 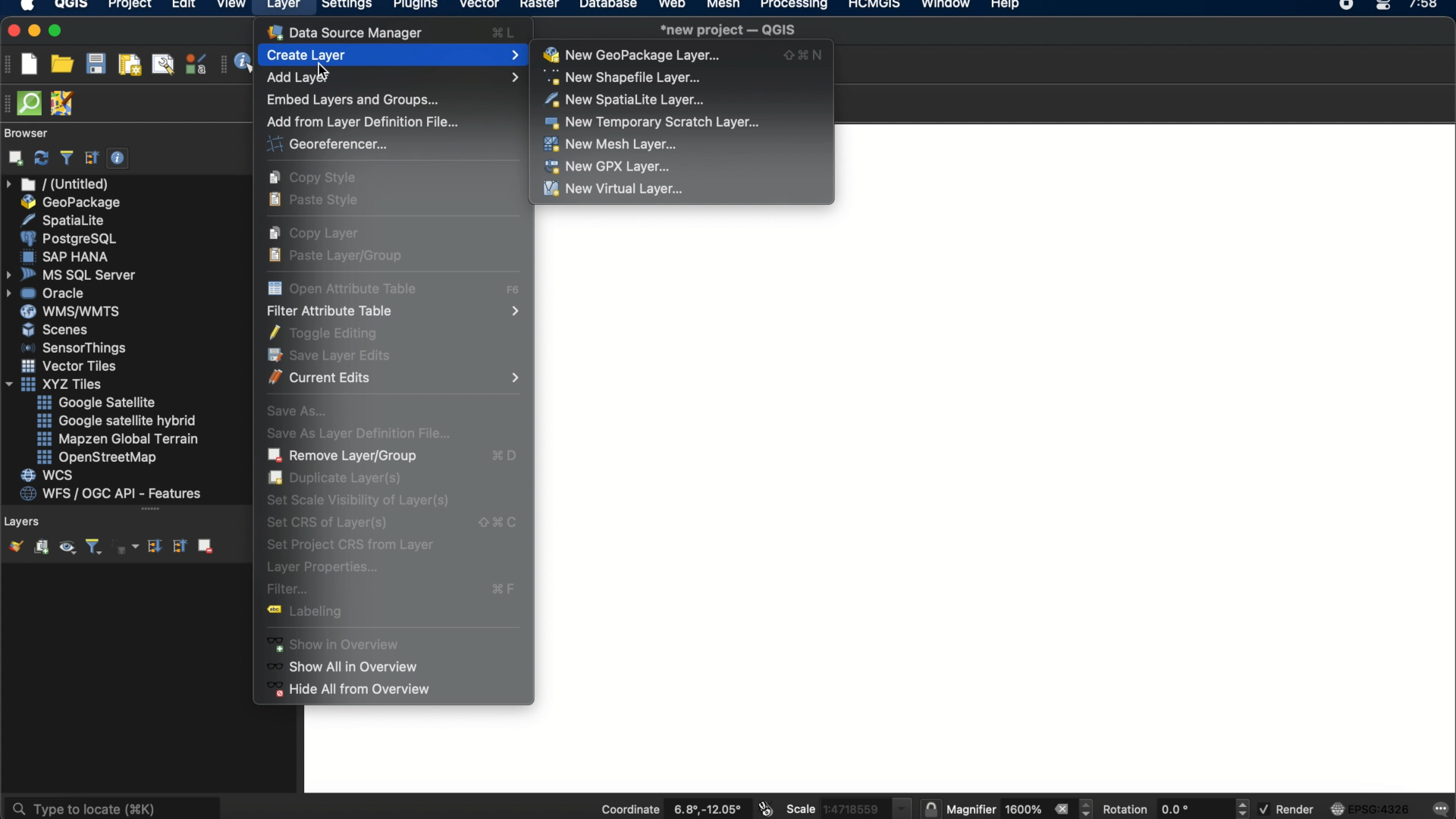 I want to click on save as, so click(x=298, y=409).